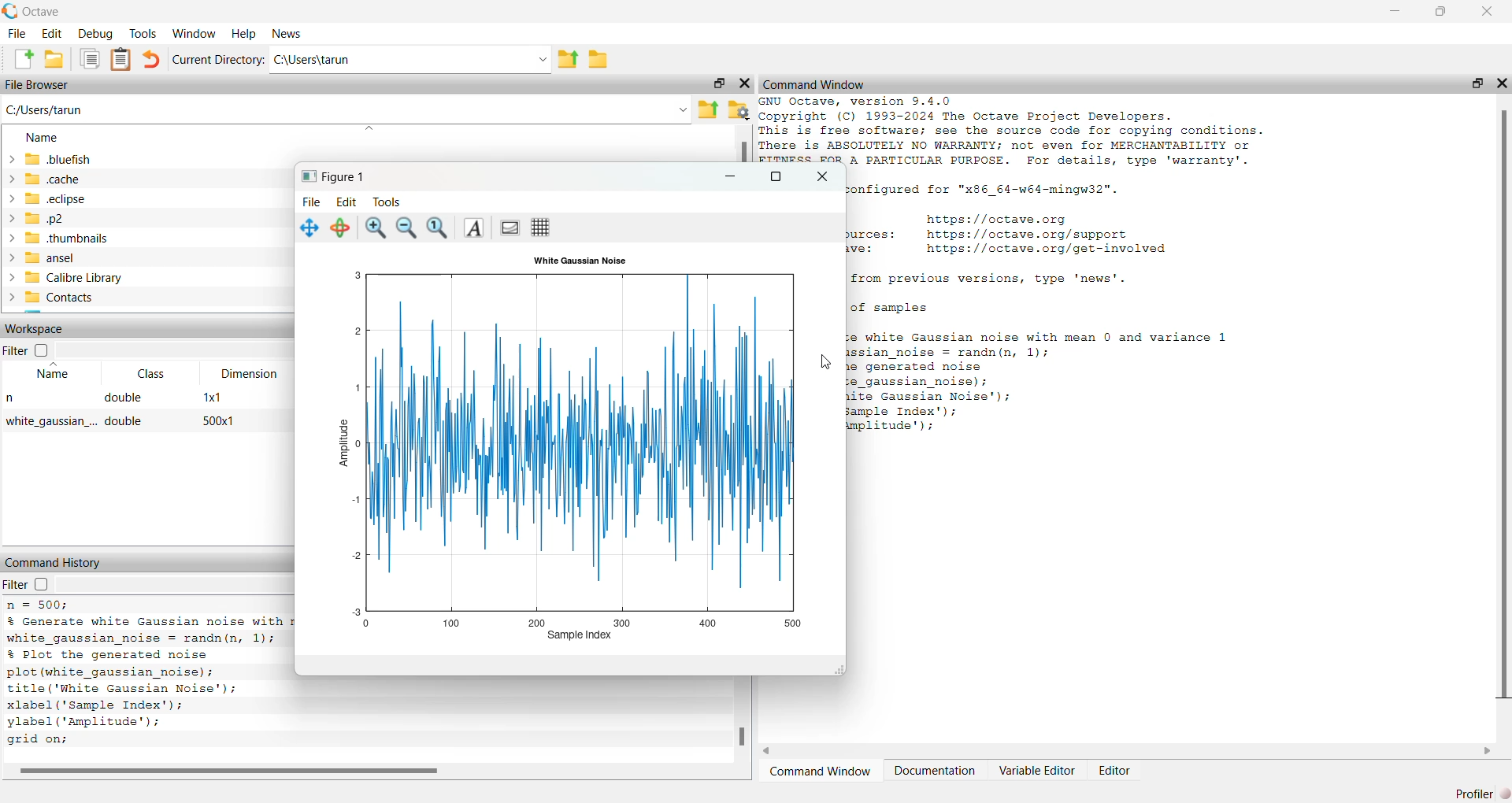 This screenshot has width=1512, height=803. What do you see at coordinates (16, 34) in the screenshot?
I see `File` at bounding box center [16, 34].